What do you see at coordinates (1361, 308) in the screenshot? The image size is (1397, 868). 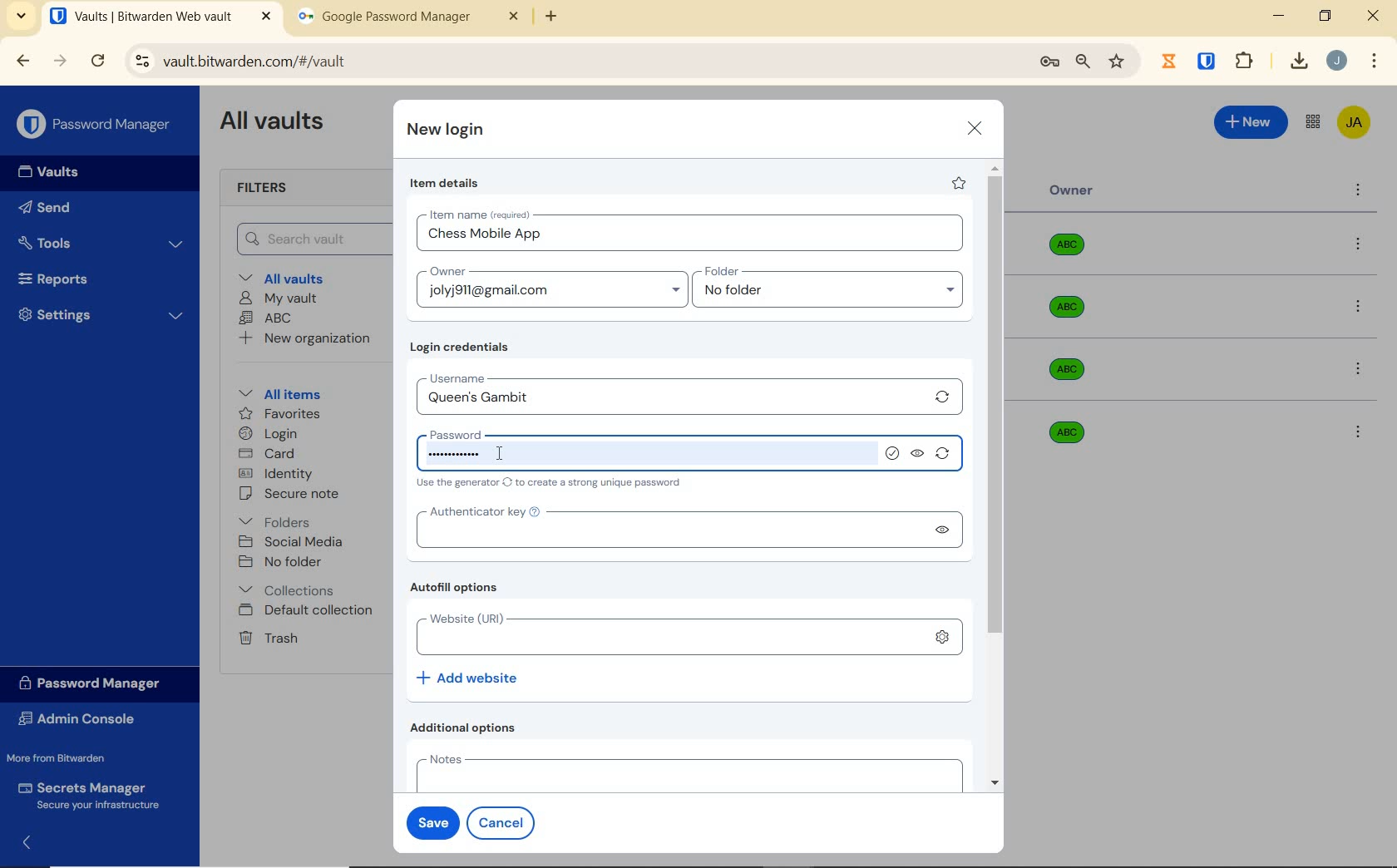 I see `option` at bounding box center [1361, 308].